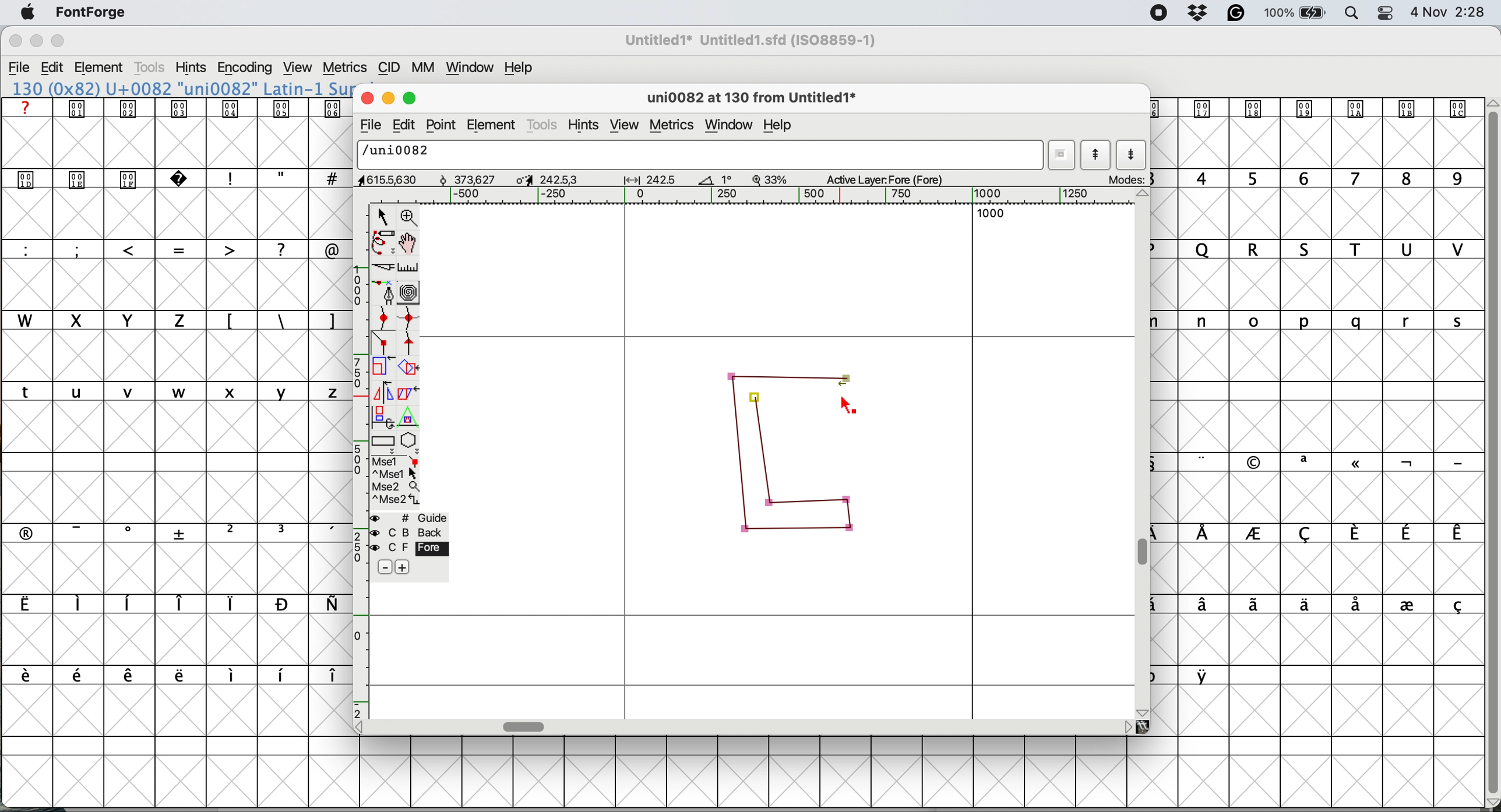 The image size is (1501, 812). What do you see at coordinates (1144, 711) in the screenshot?
I see `scroll button` at bounding box center [1144, 711].